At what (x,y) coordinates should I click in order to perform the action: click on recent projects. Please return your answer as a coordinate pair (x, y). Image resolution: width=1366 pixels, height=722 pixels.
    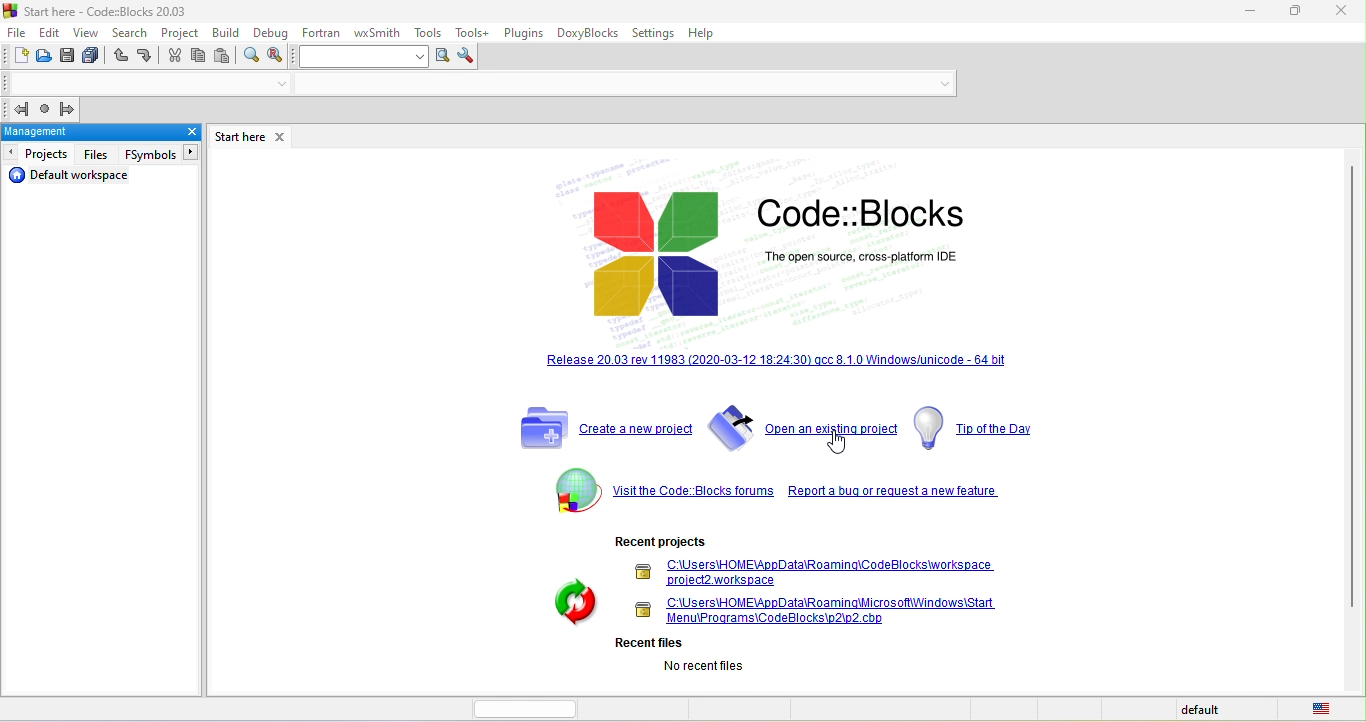
    Looking at the image, I should click on (663, 540).